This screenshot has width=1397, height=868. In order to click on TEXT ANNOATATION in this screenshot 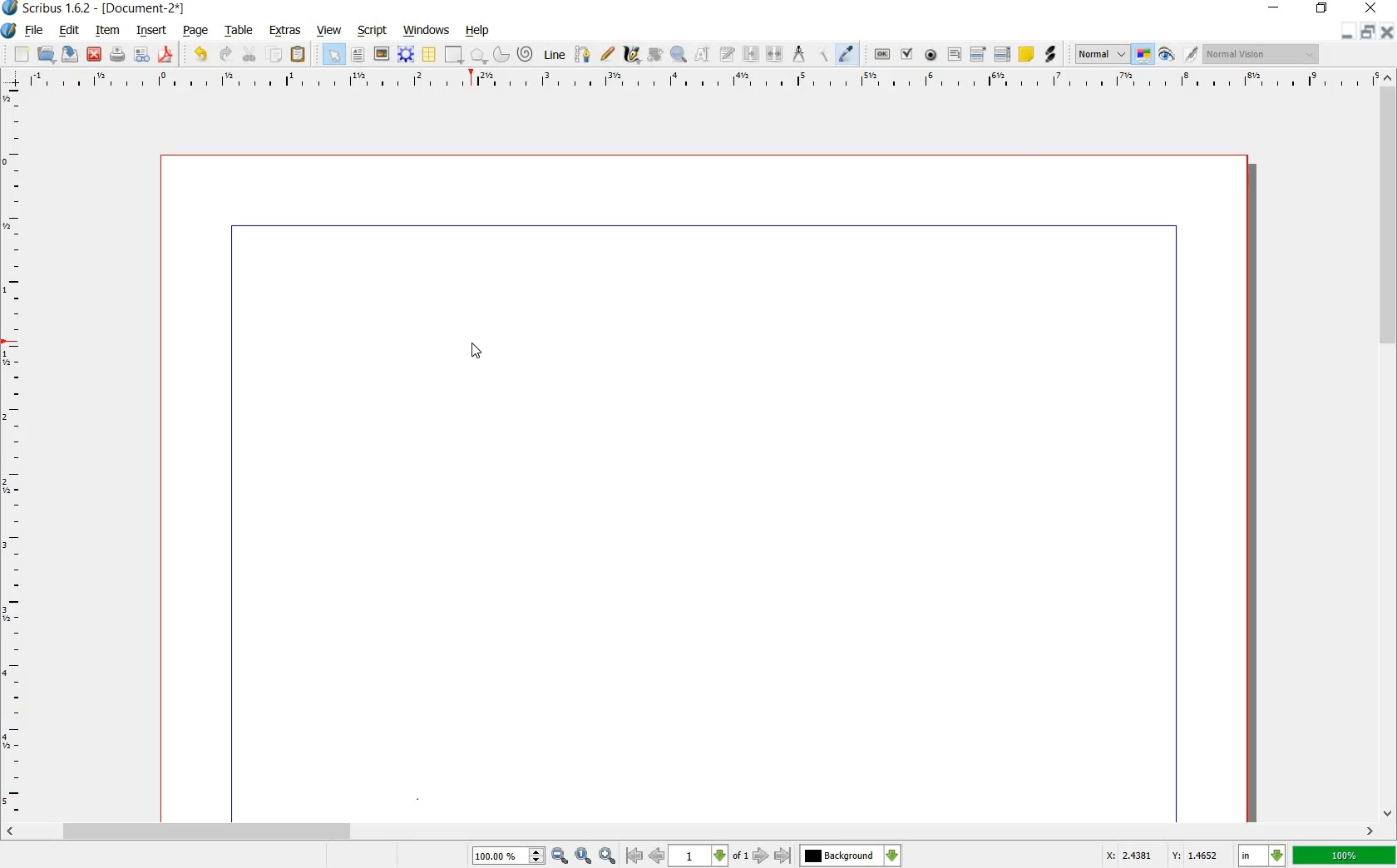, I will do `click(1025, 55)`.